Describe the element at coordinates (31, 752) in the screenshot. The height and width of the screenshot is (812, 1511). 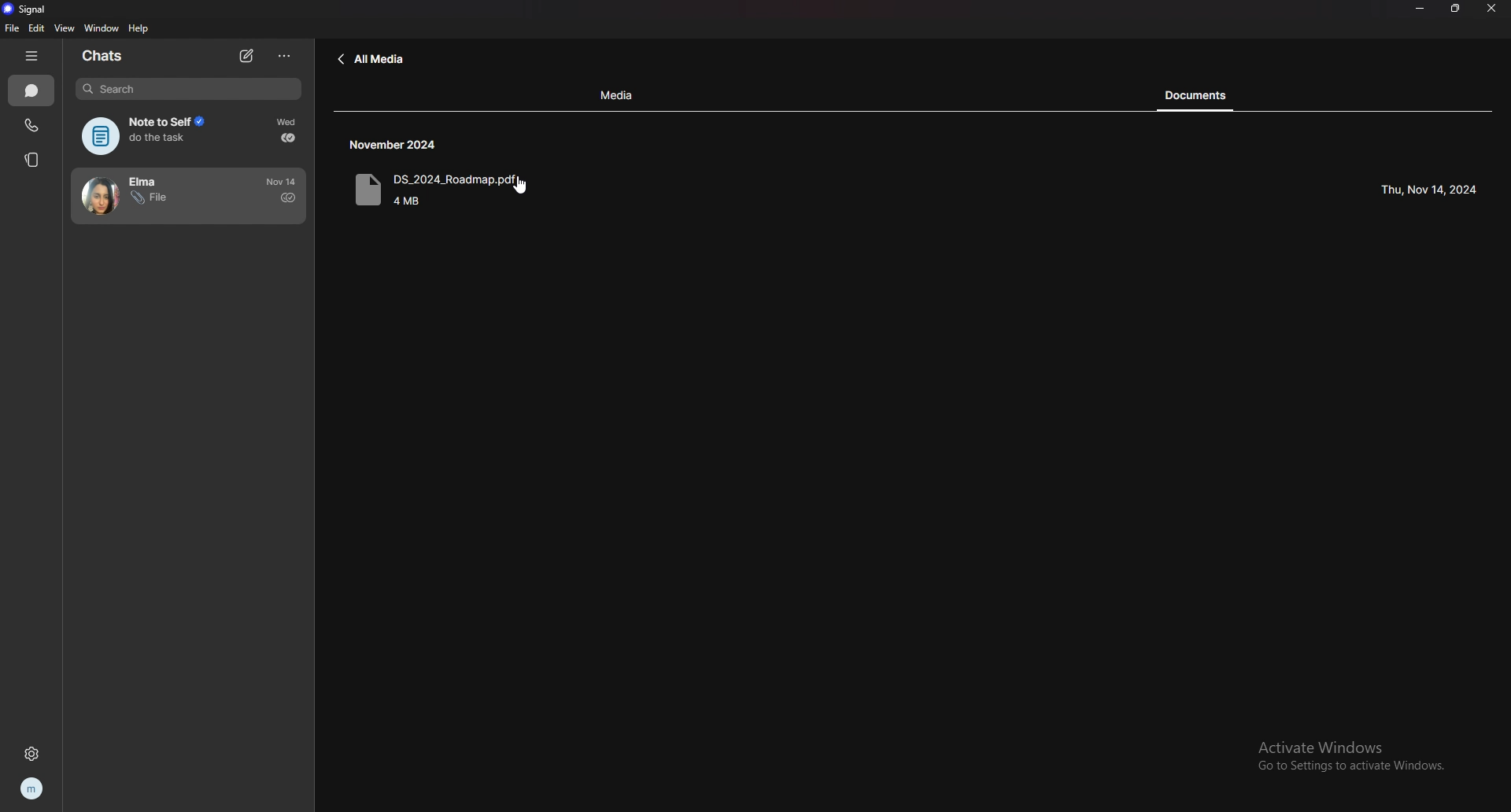
I see `settings` at that location.